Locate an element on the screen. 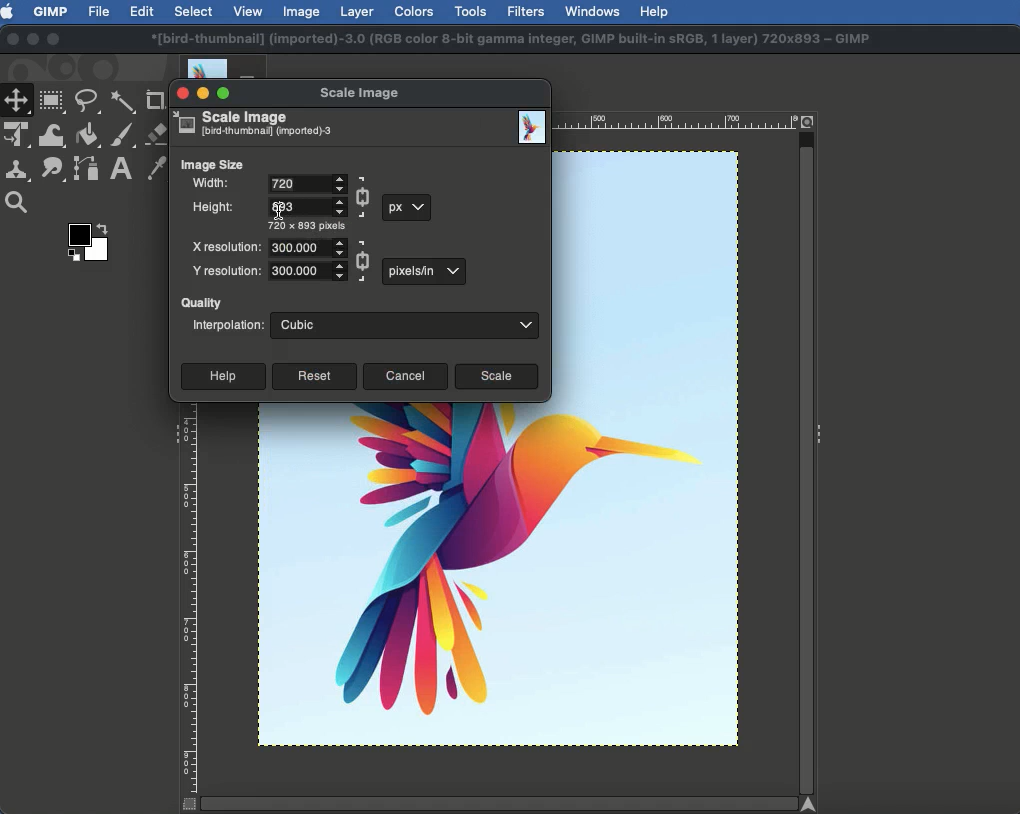  Scale is located at coordinates (496, 379).